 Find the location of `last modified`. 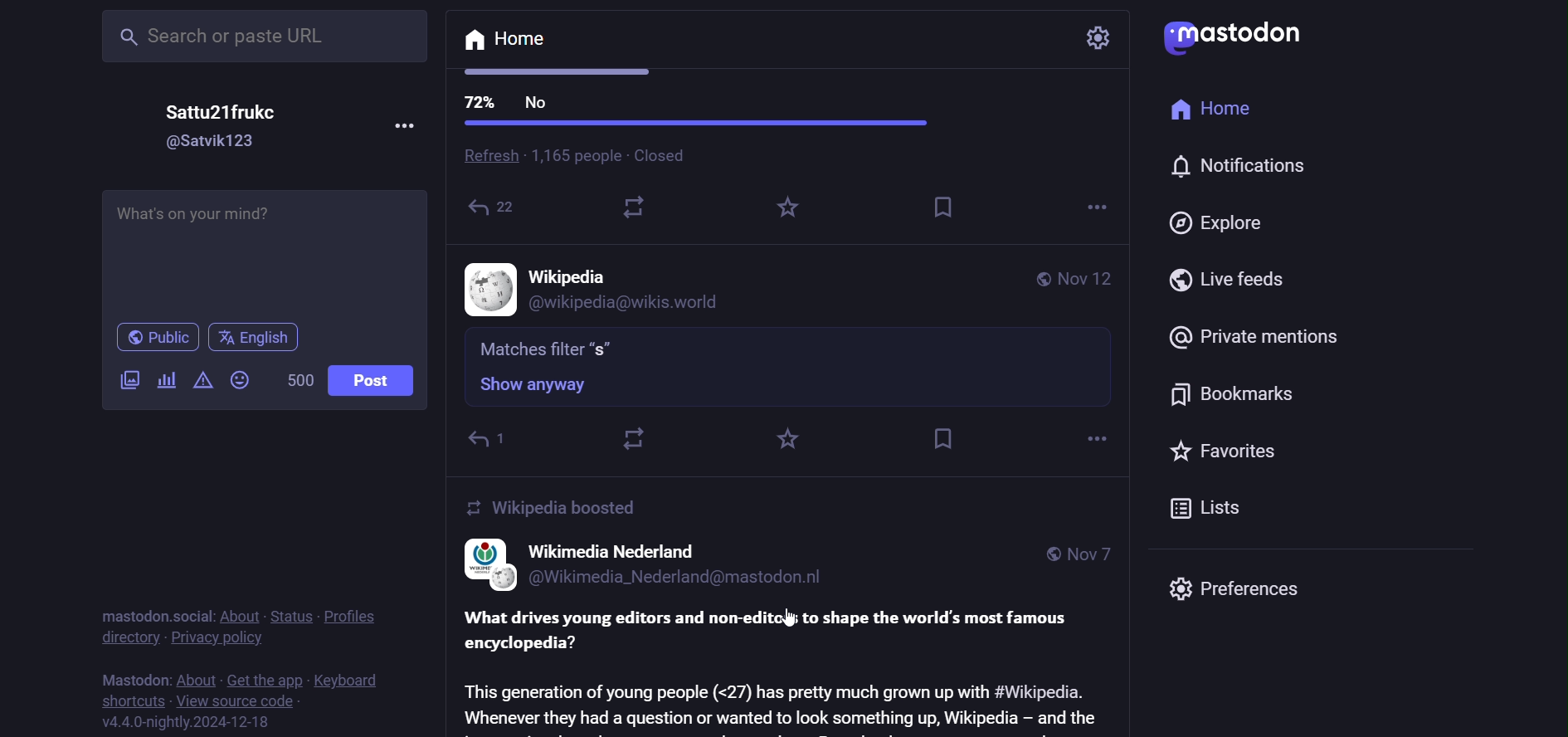

last modified is located at coordinates (1088, 281).